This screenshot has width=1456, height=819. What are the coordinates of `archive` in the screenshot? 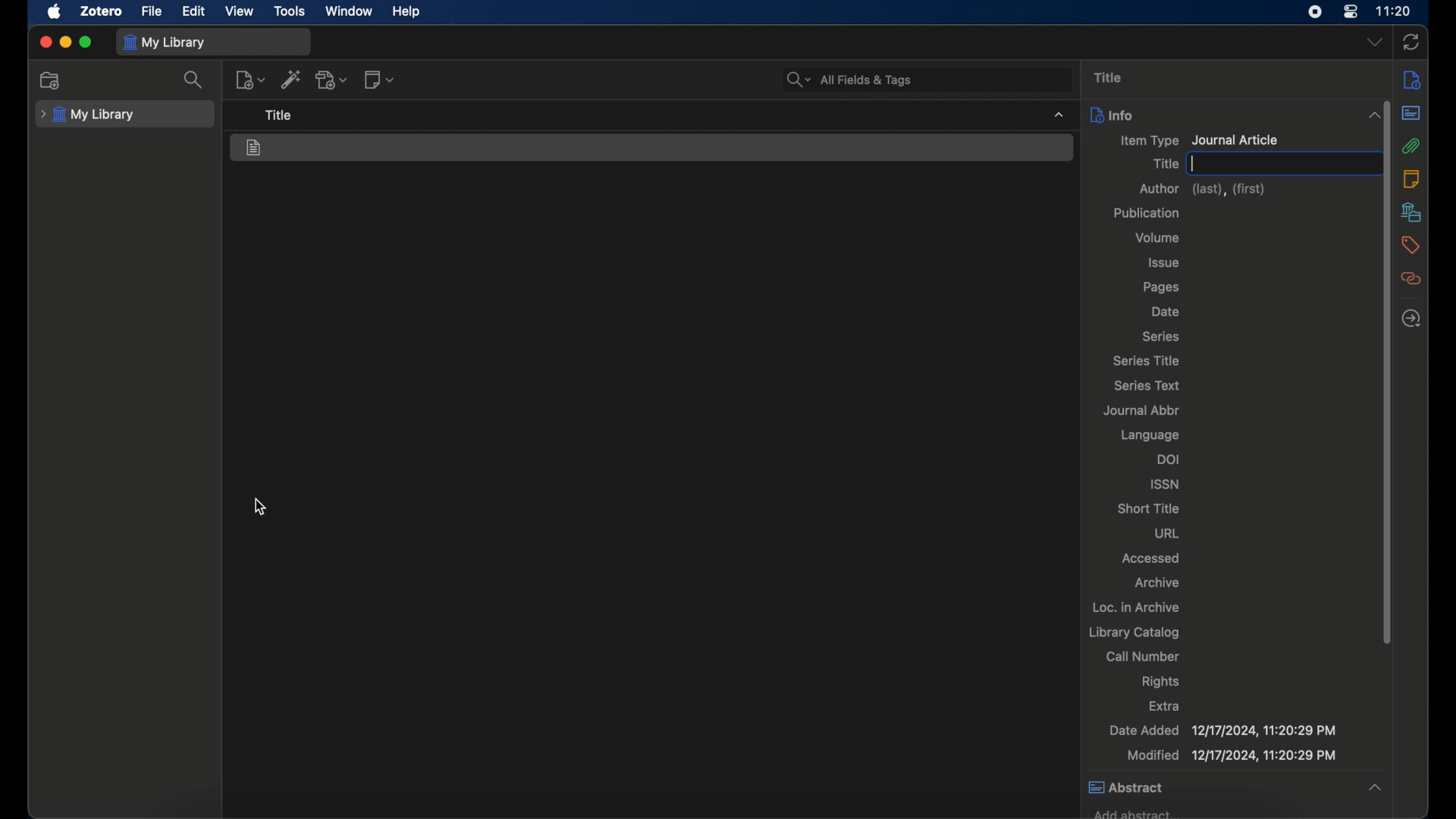 It's located at (1156, 582).